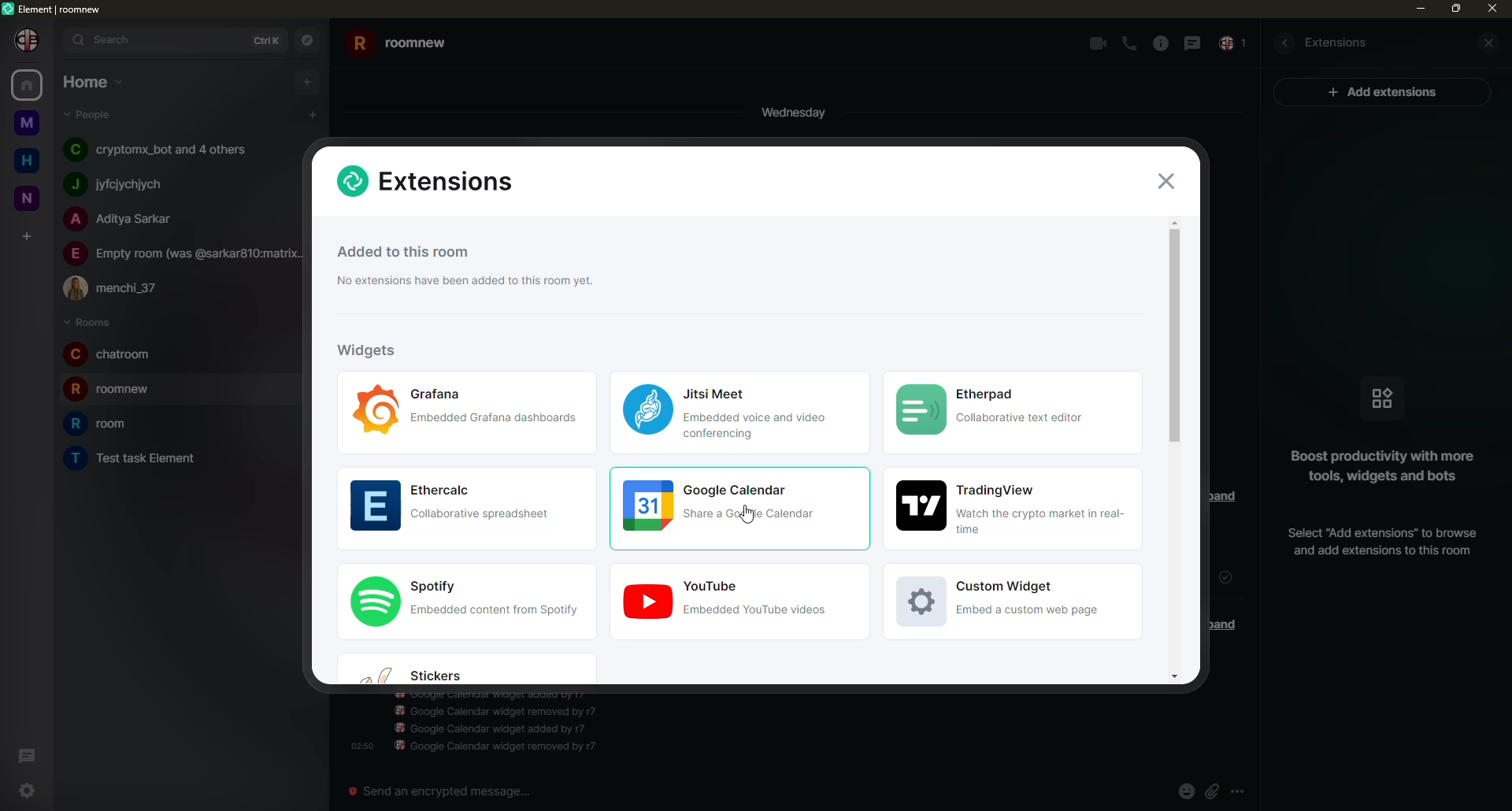 Image resolution: width=1512 pixels, height=811 pixels. What do you see at coordinates (137, 457) in the screenshot?
I see `room` at bounding box center [137, 457].